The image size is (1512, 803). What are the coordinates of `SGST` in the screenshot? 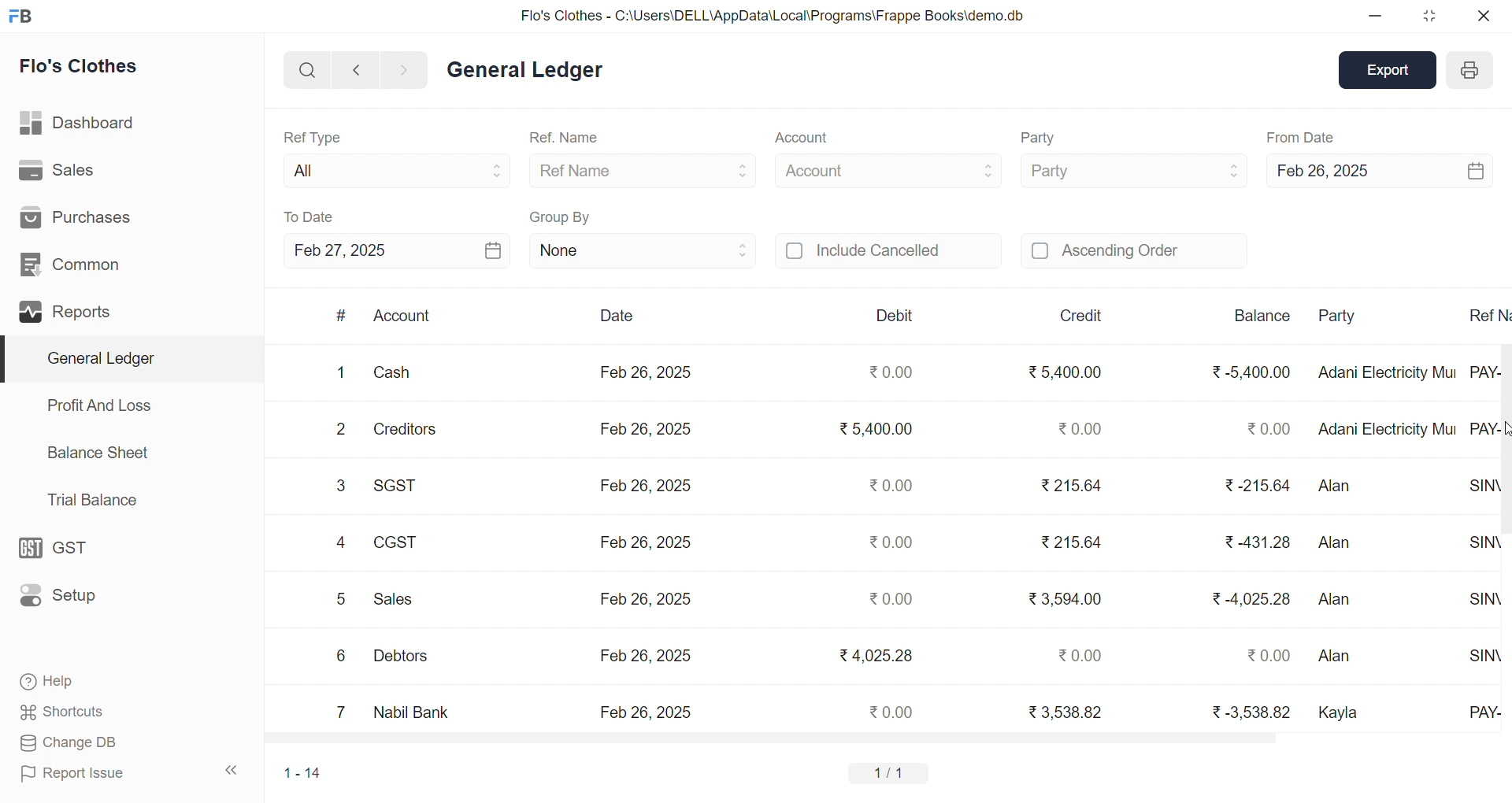 It's located at (400, 484).